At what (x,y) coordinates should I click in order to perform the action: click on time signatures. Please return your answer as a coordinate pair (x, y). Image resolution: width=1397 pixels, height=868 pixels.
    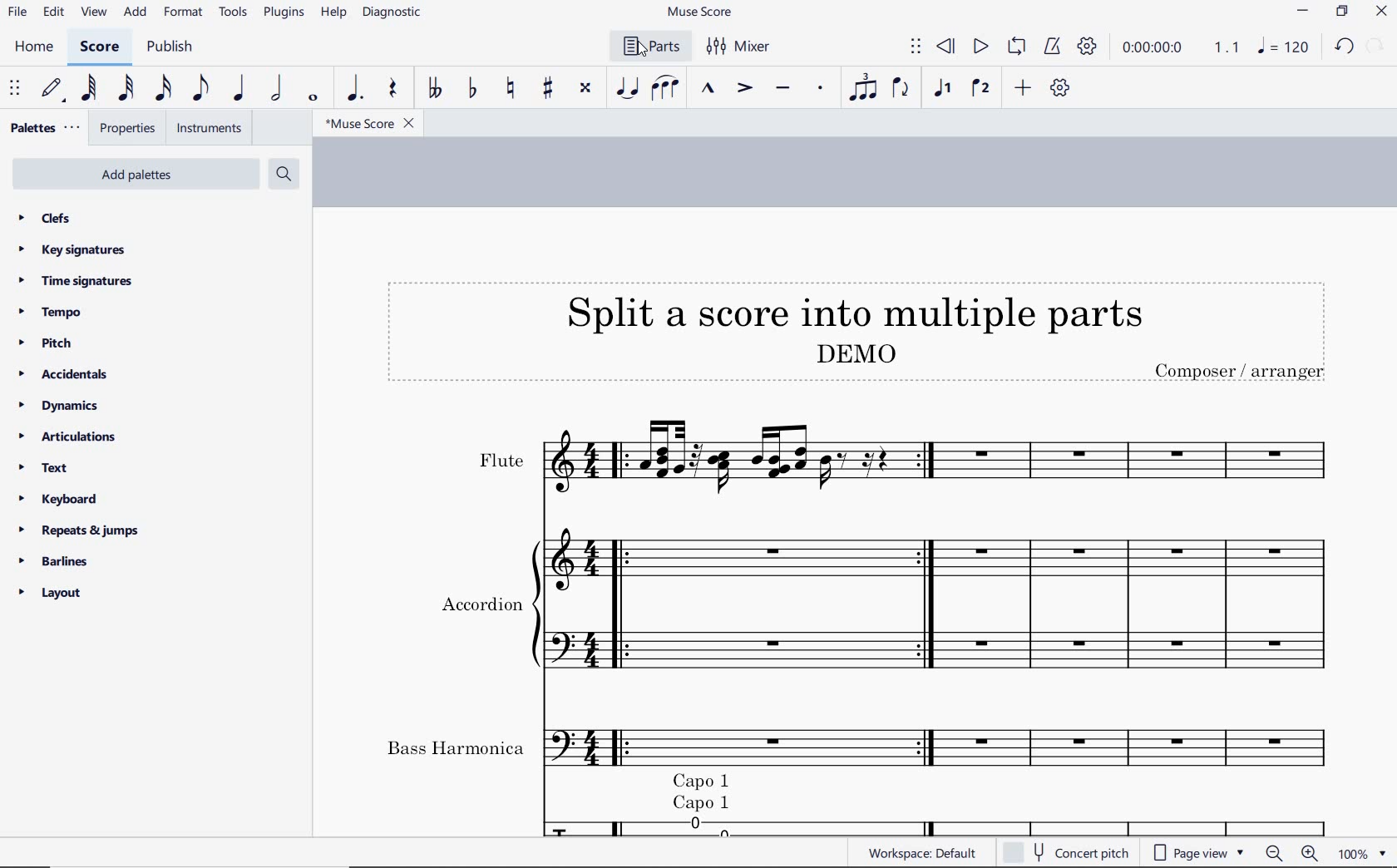
    Looking at the image, I should click on (74, 283).